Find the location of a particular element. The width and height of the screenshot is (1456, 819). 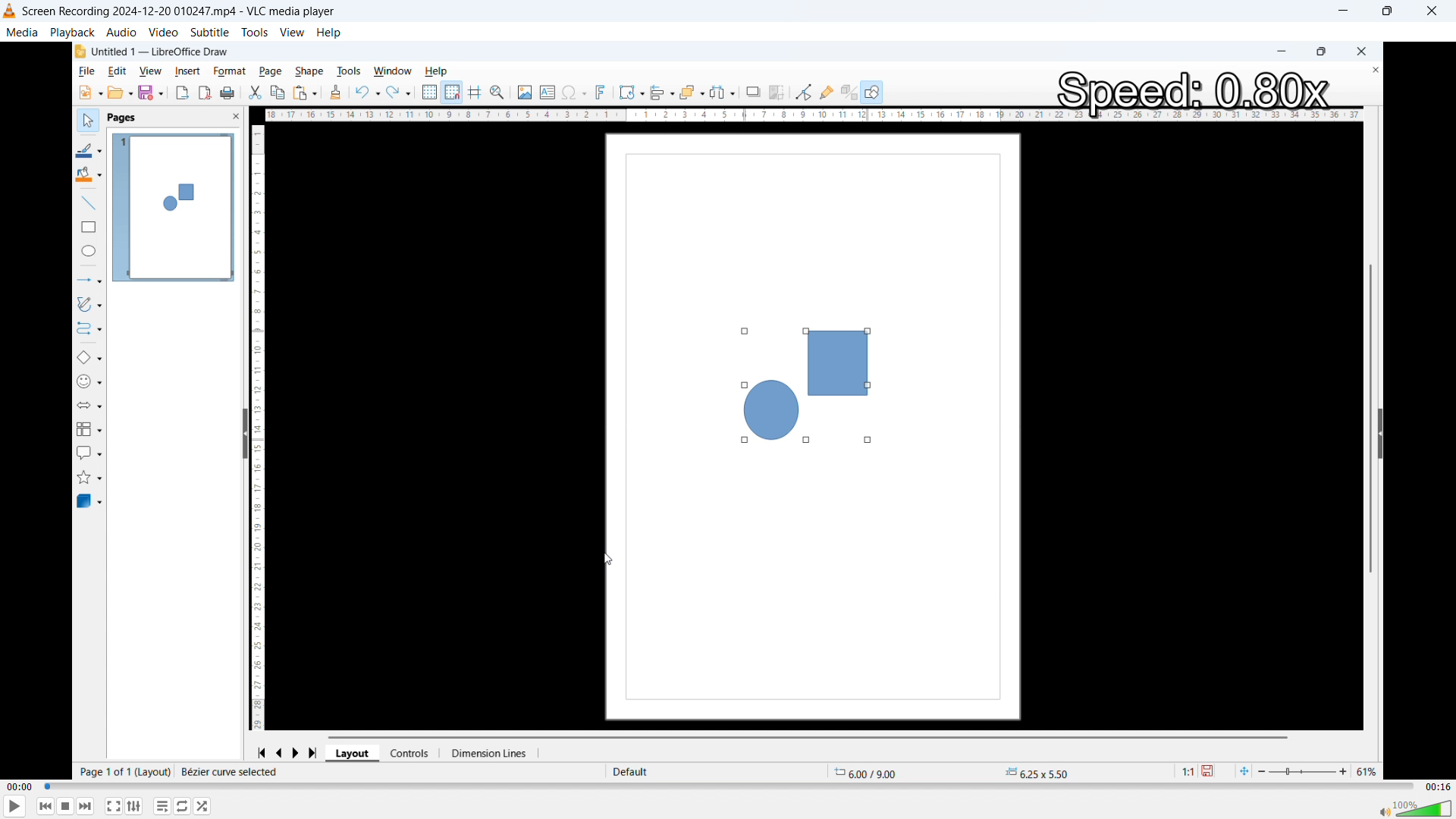

Subtitle  is located at coordinates (209, 32).